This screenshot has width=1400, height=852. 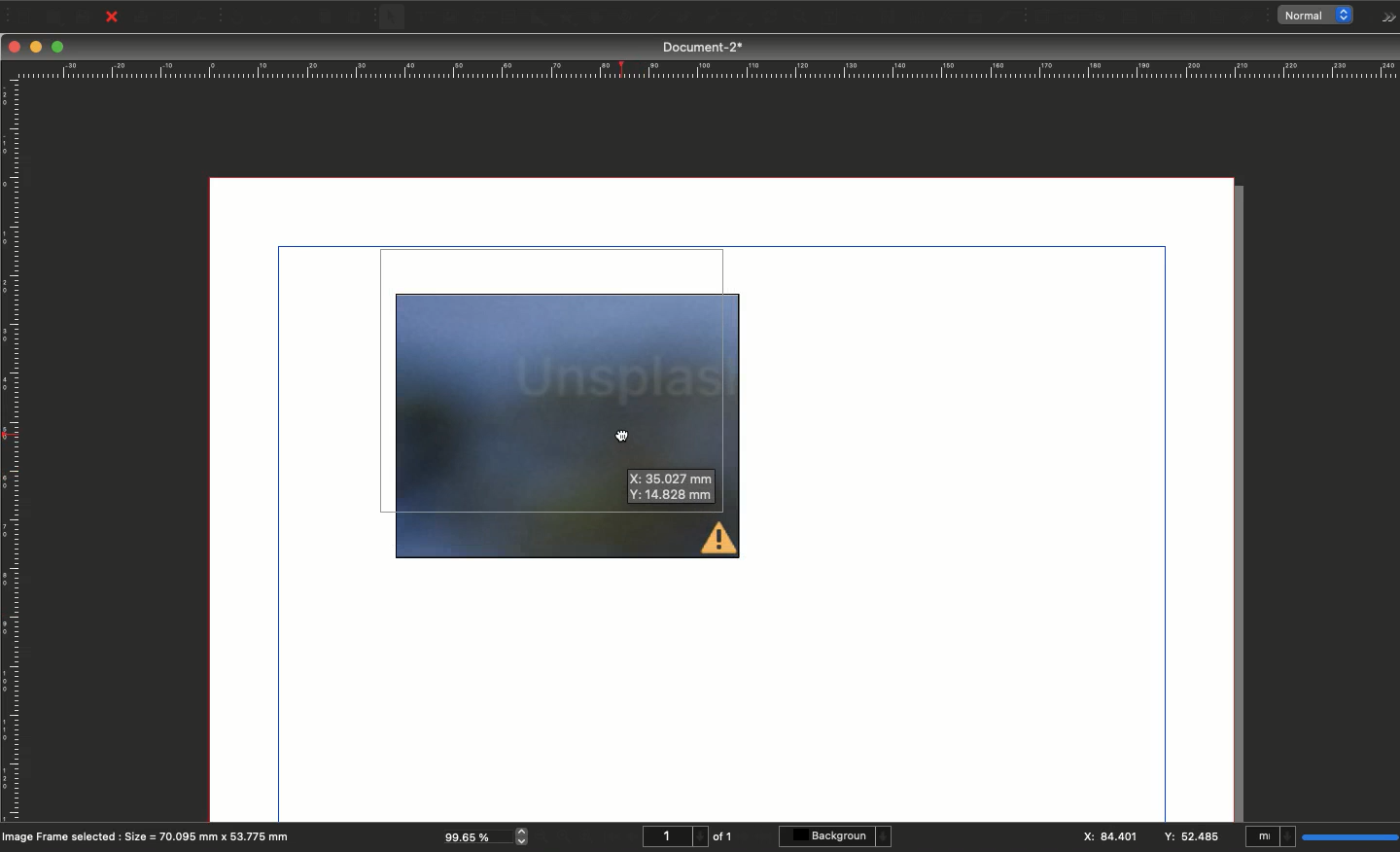 What do you see at coordinates (595, 18) in the screenshot?
I see `Arc` at bounding box center [595, 18].